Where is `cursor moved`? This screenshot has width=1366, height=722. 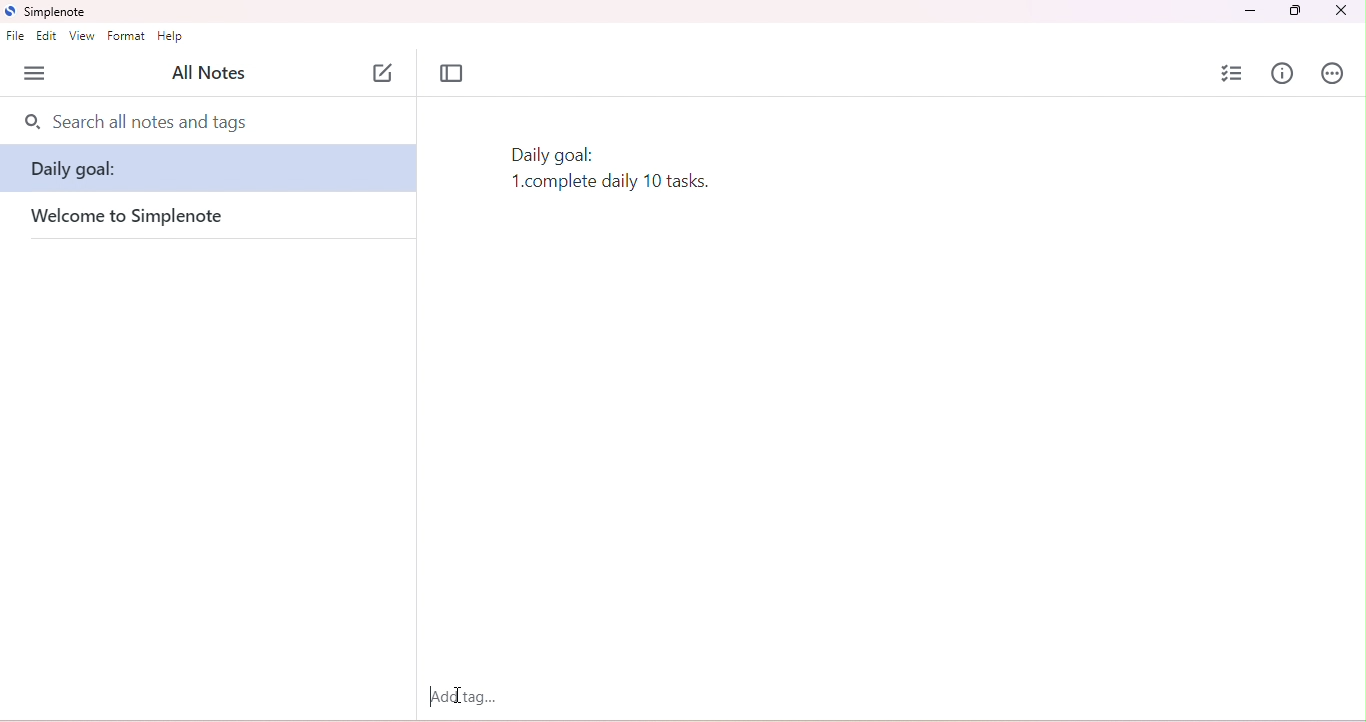 cursor moved is located at coordinates (455, 687).